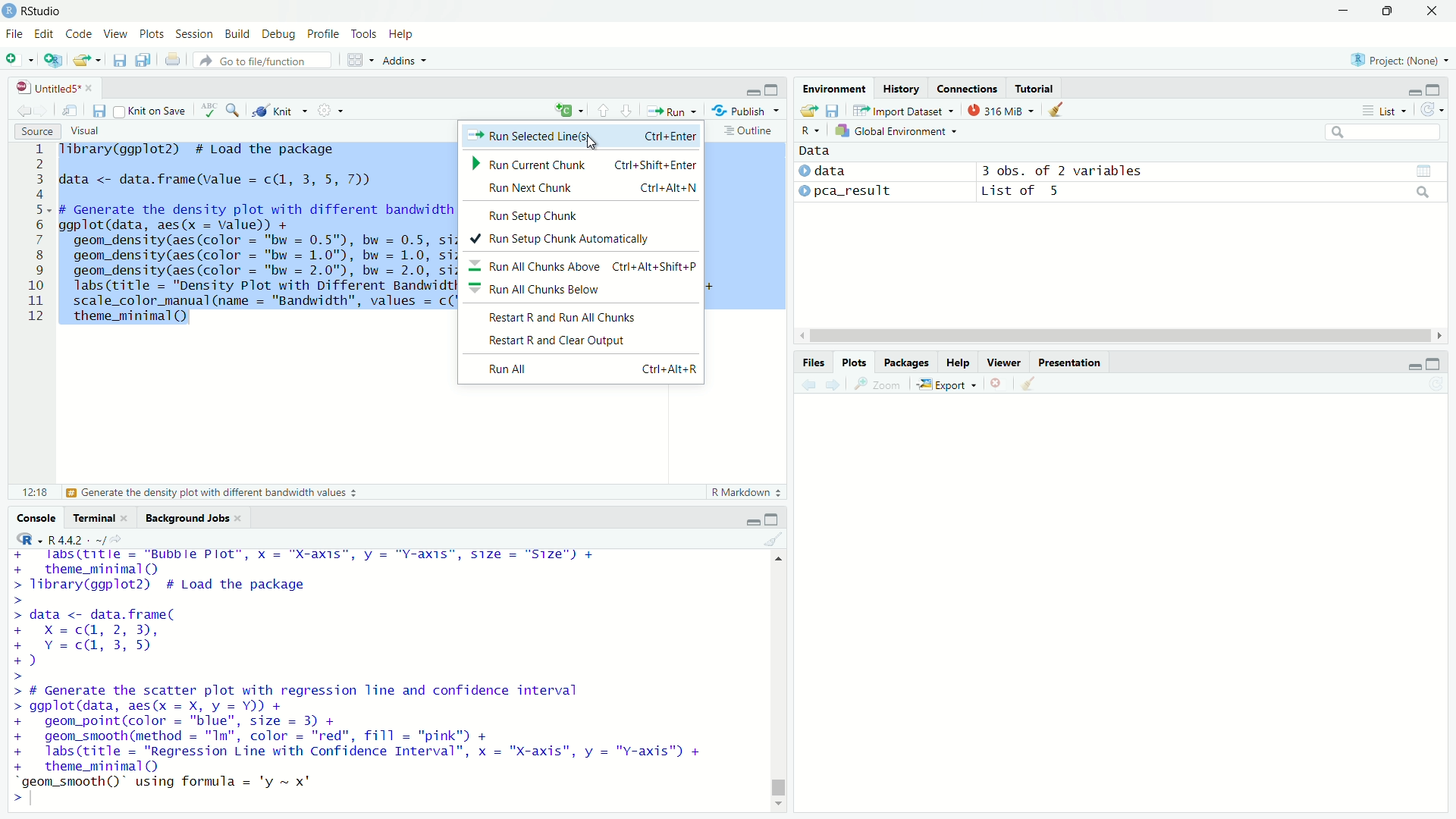  What do you see at coordinates (803, 171) in the screenshot?
I see `expand/collapse` at bounding box center [803, 171].